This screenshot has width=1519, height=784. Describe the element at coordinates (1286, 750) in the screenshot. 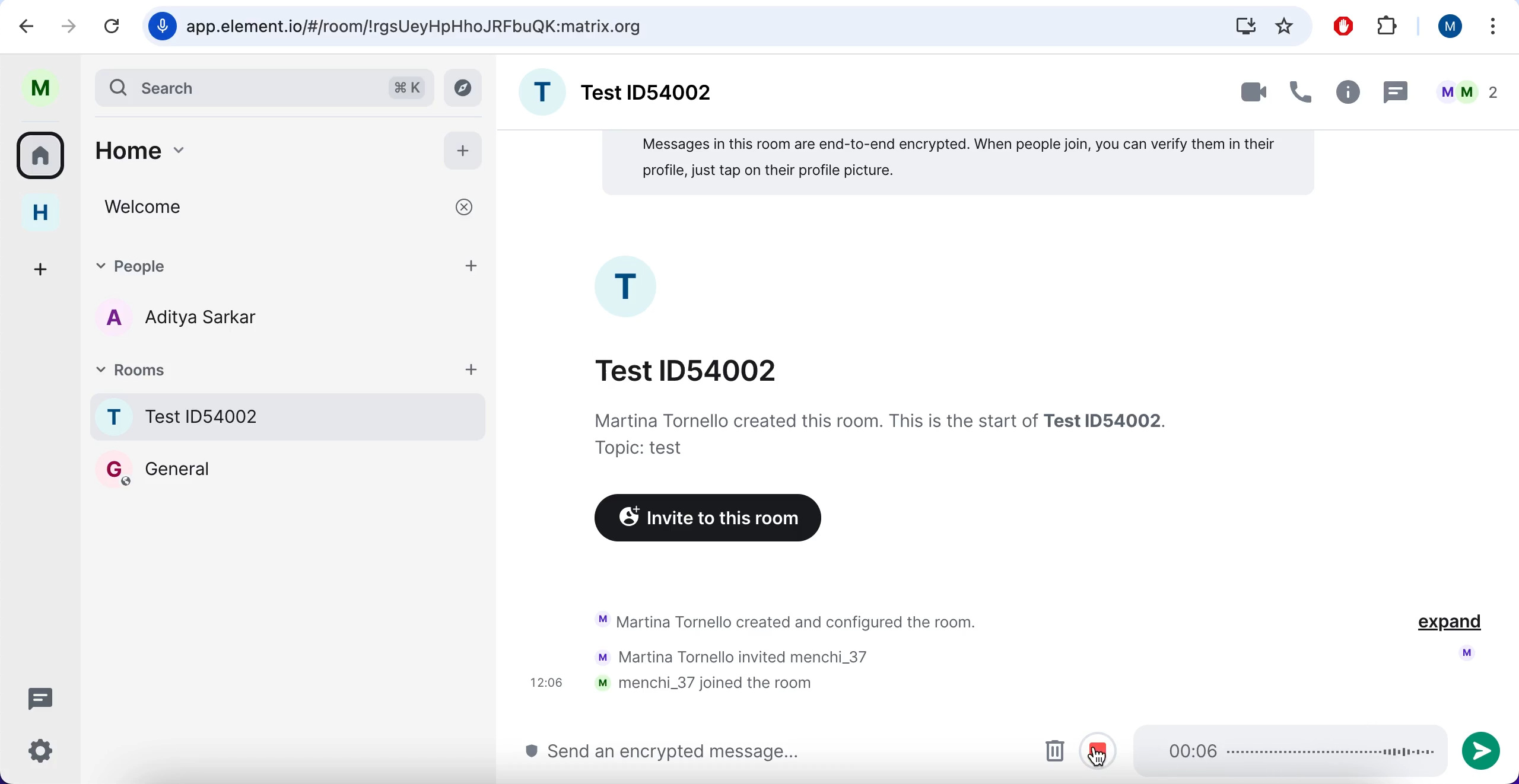

I see `audio` at that location.